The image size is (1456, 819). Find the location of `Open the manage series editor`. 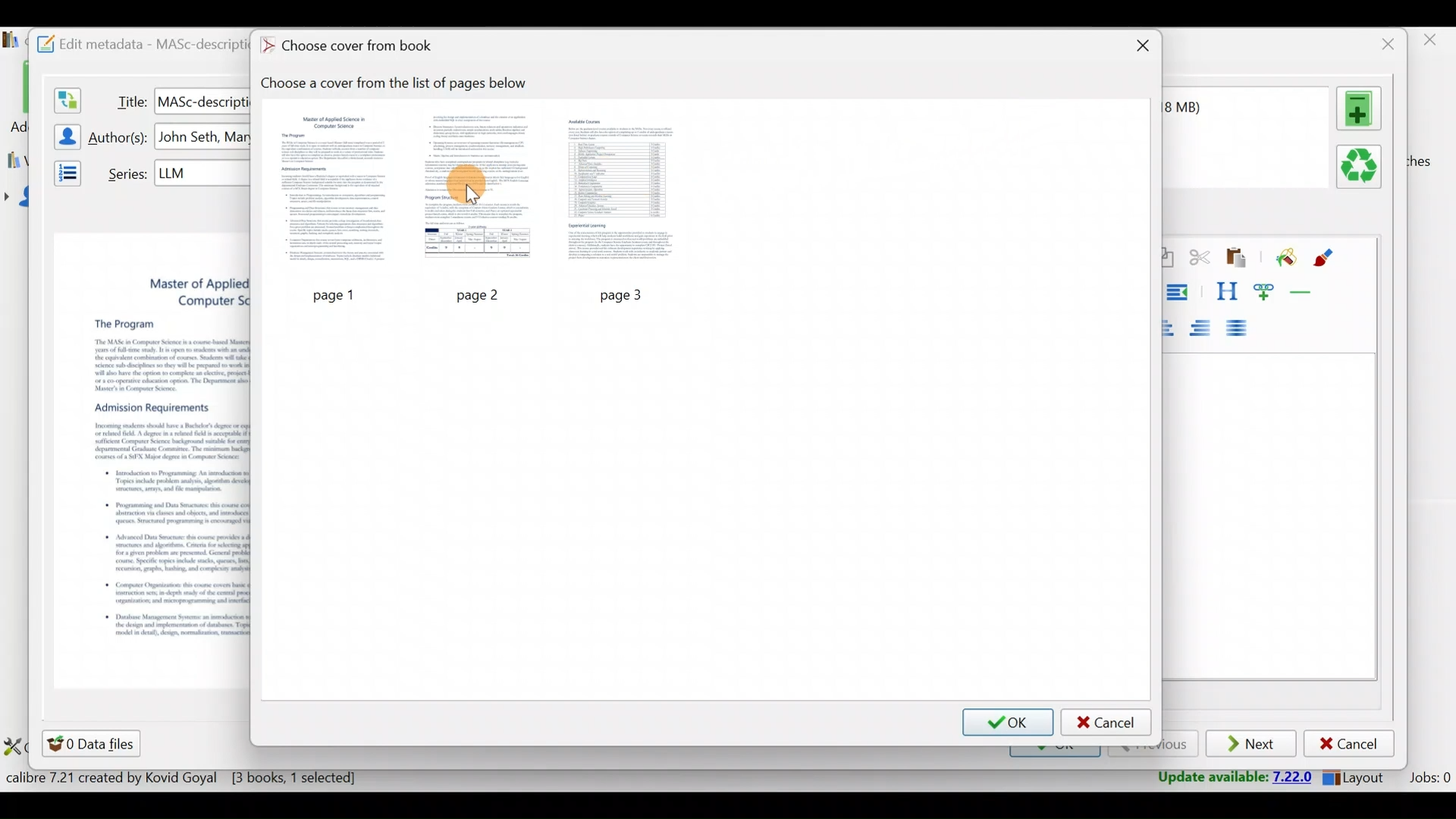

Open the manage series editor is located at coordinates (63, 171).